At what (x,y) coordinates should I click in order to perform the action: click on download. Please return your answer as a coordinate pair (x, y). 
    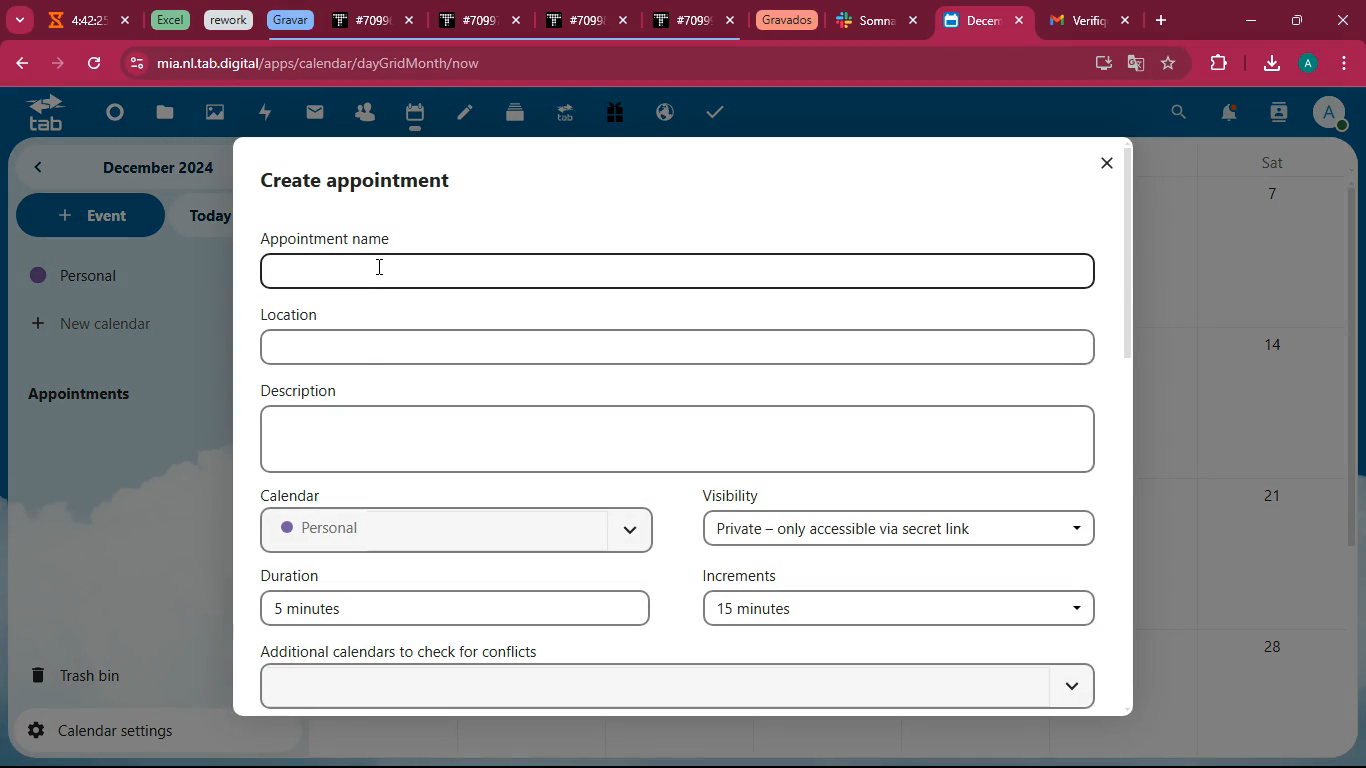
    Looking at the image, I should click on (1270, 65).